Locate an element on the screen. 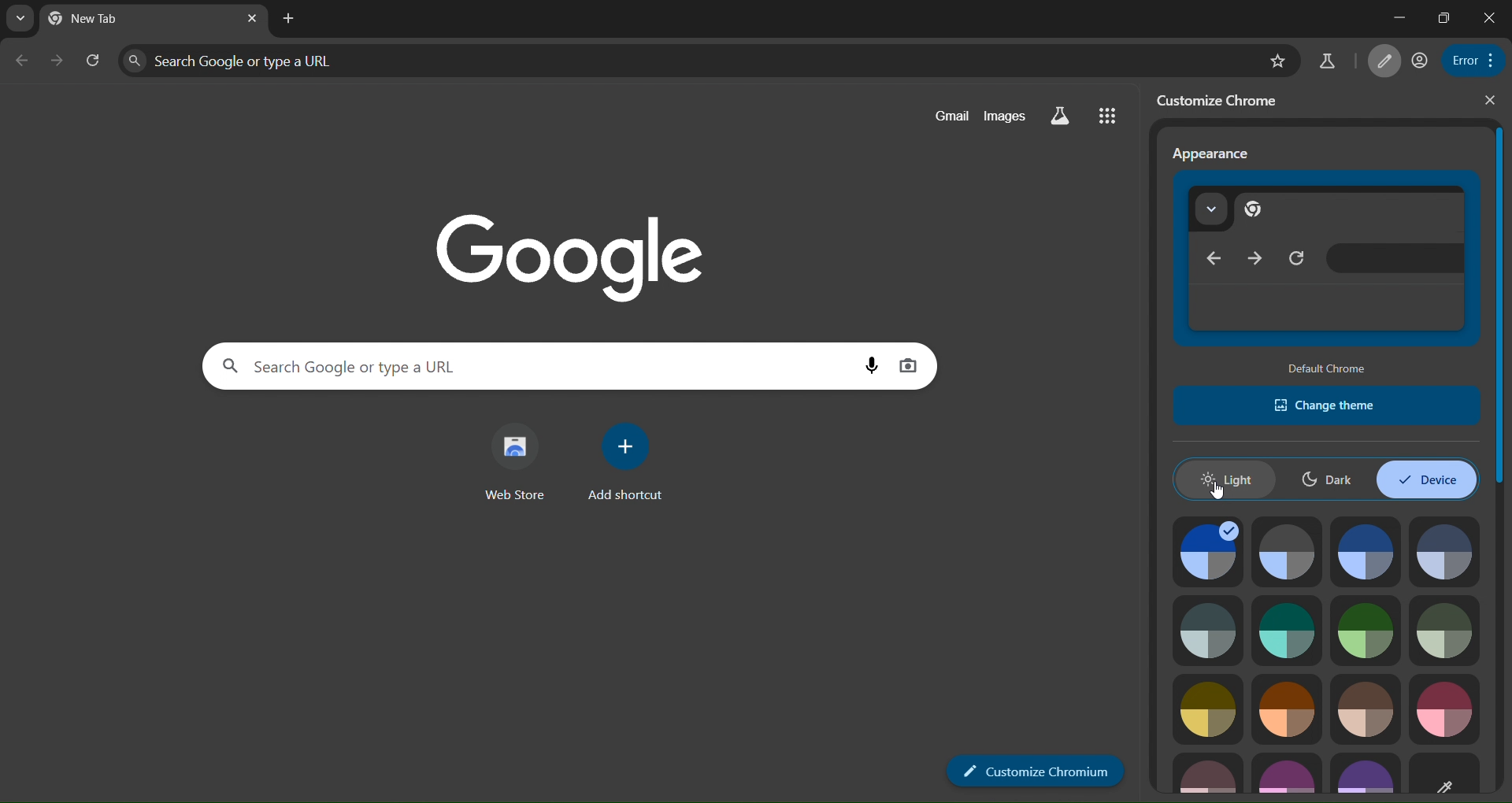 The image size is (1512, 803). image is located at coordinates (1449, 774).